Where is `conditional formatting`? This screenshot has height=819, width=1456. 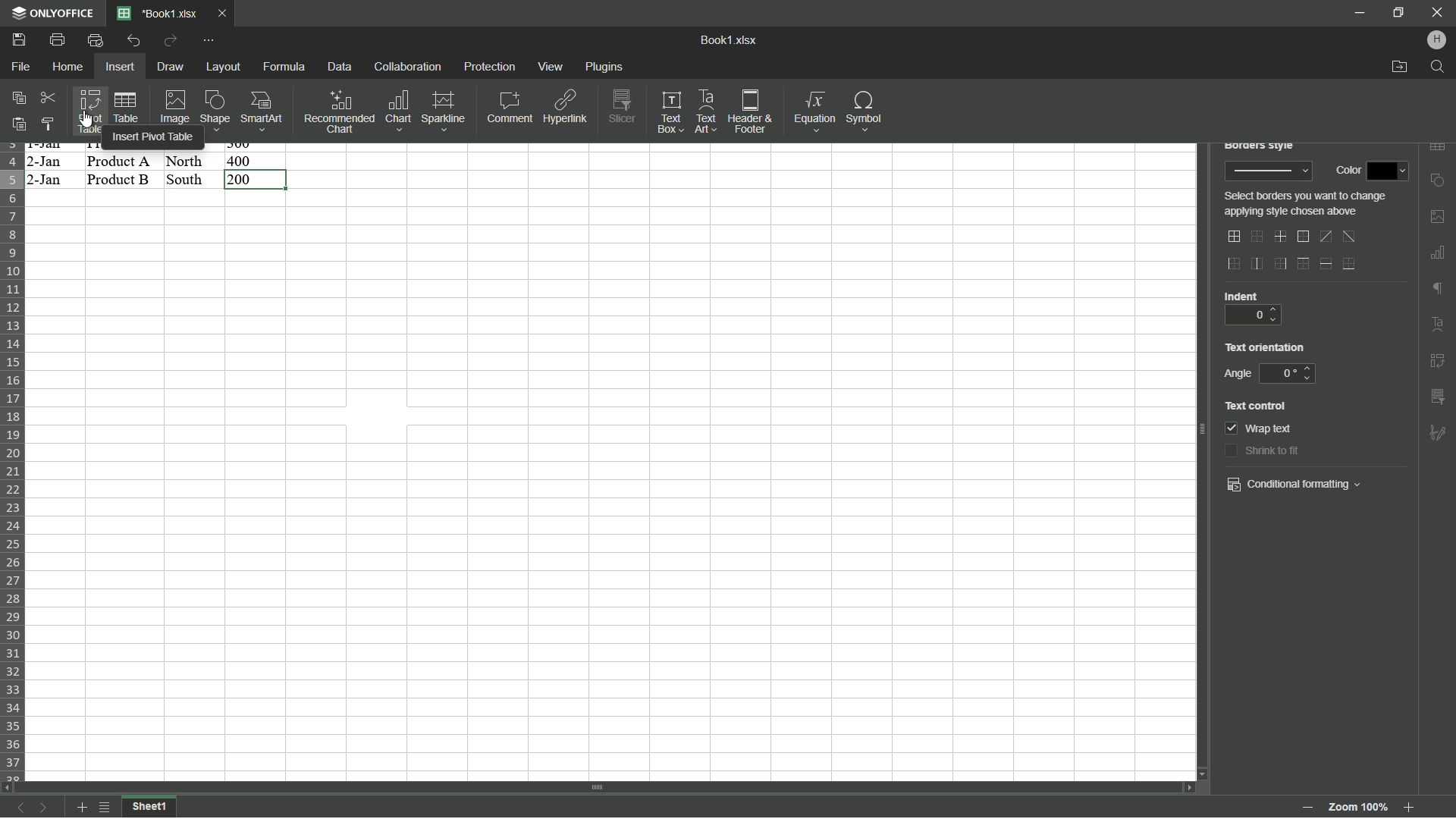
conditional formatting is located at coordinates (1287, 485).